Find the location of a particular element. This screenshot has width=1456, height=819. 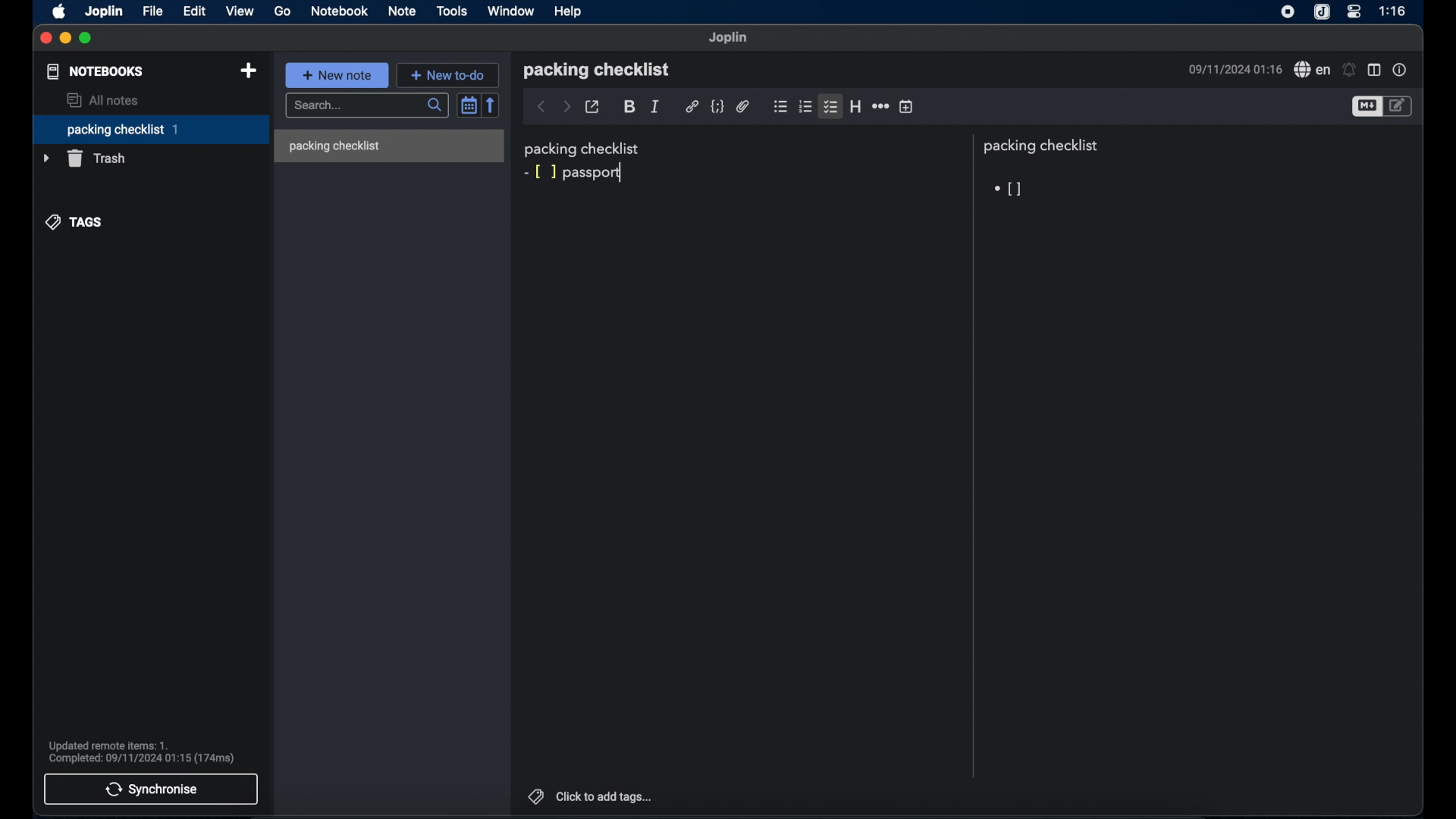

bulleted checklist is located at coordinates (780, 108).